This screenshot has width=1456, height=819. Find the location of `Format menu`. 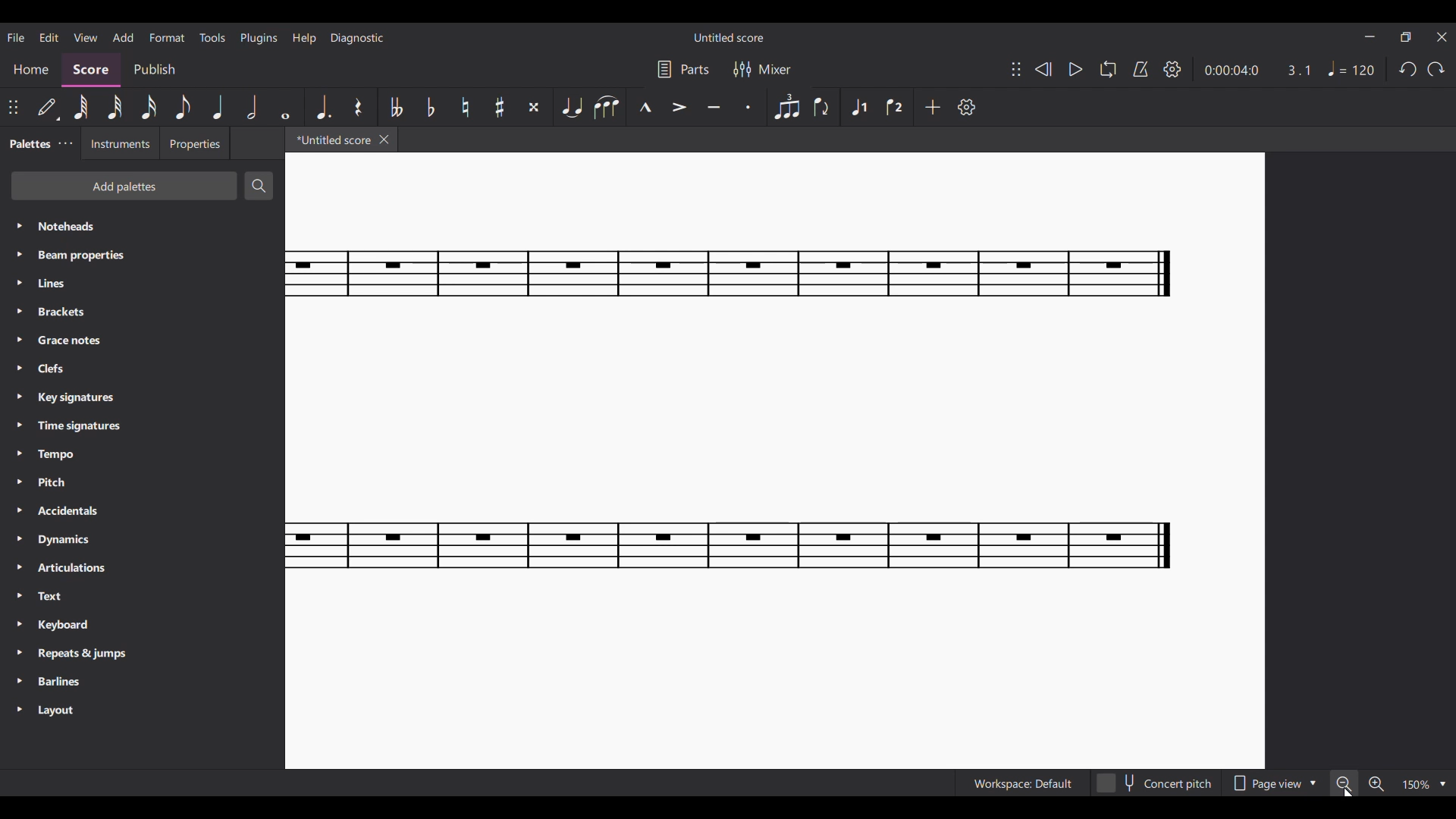

Format menu is located at coordinates (168, 38).